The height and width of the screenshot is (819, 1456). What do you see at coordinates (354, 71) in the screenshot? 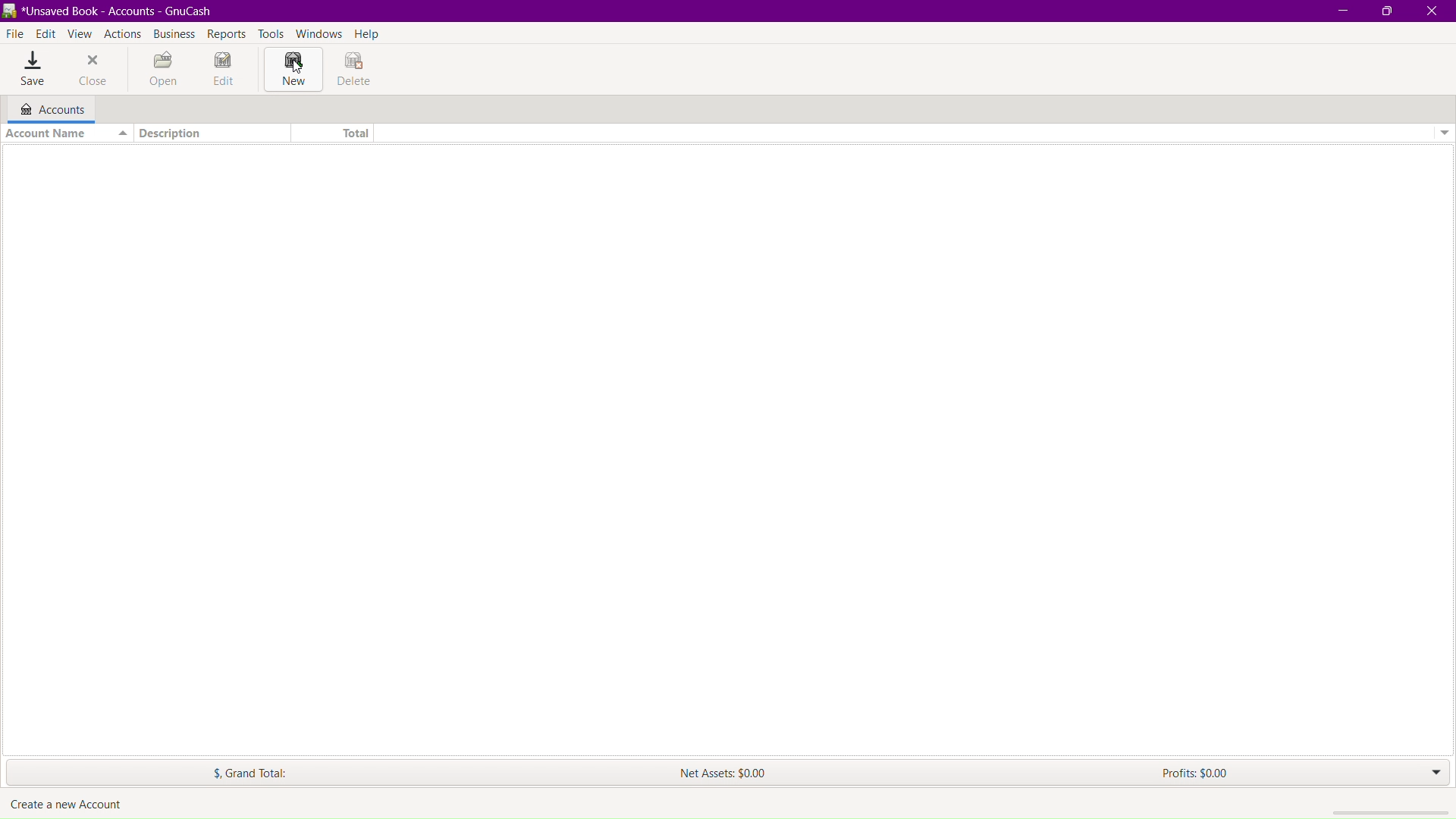
I see `Delete` at bounding box center [354, 71].